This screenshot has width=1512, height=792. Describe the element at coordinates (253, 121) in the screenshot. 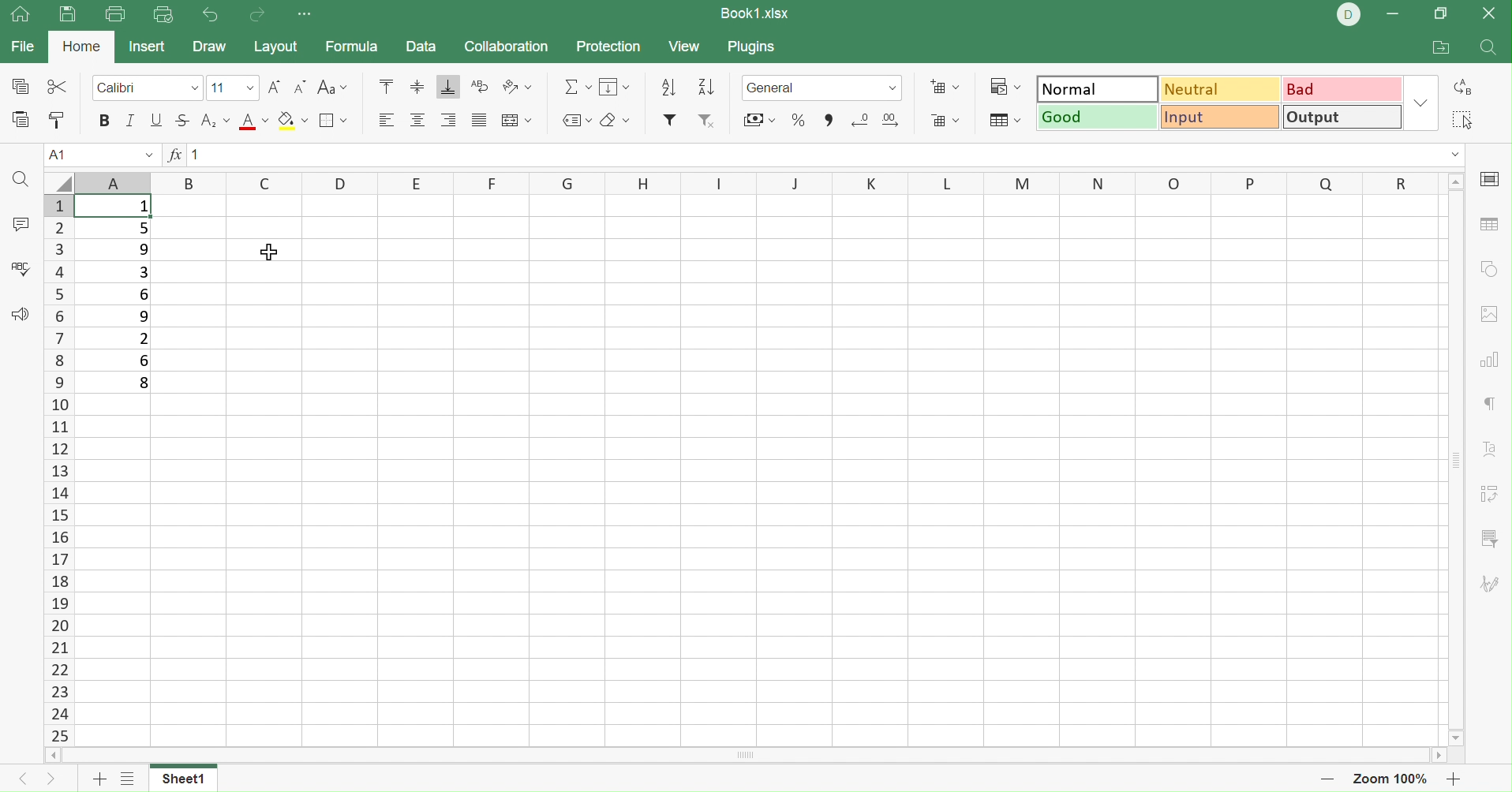

I see `Font` at that location.